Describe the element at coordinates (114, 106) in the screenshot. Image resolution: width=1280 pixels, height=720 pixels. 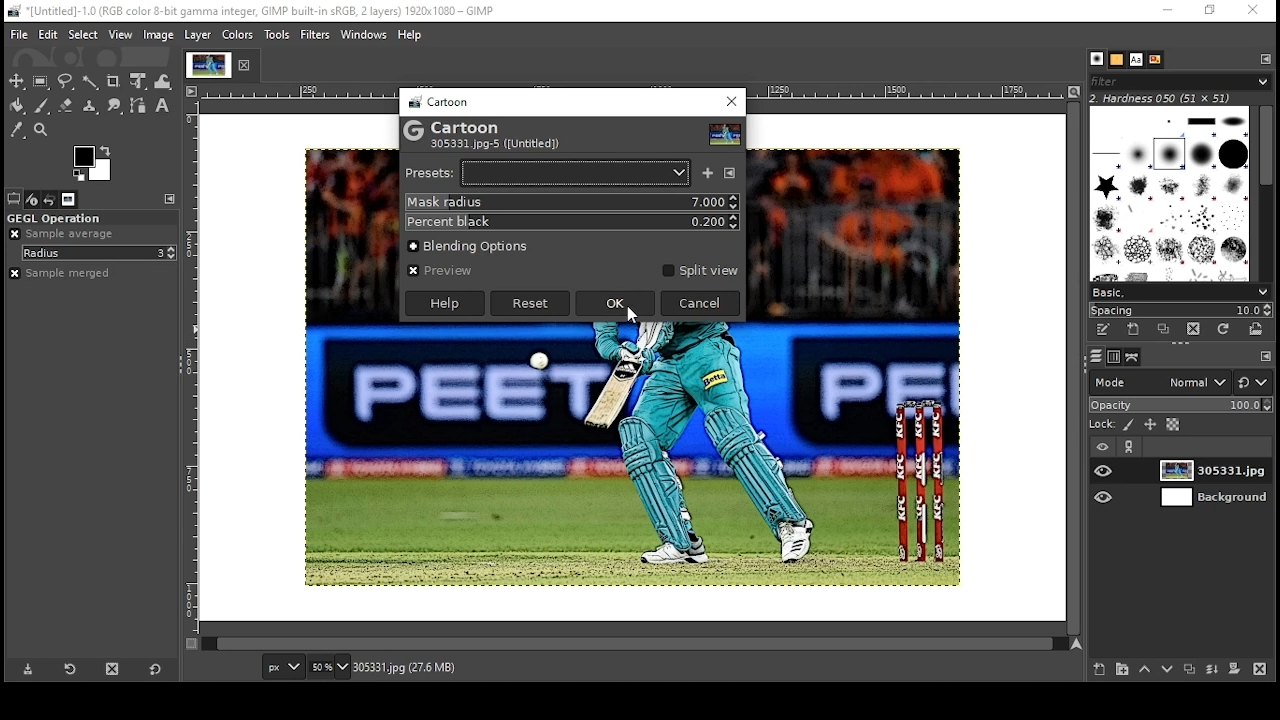
I see `smudge tool` at that location.